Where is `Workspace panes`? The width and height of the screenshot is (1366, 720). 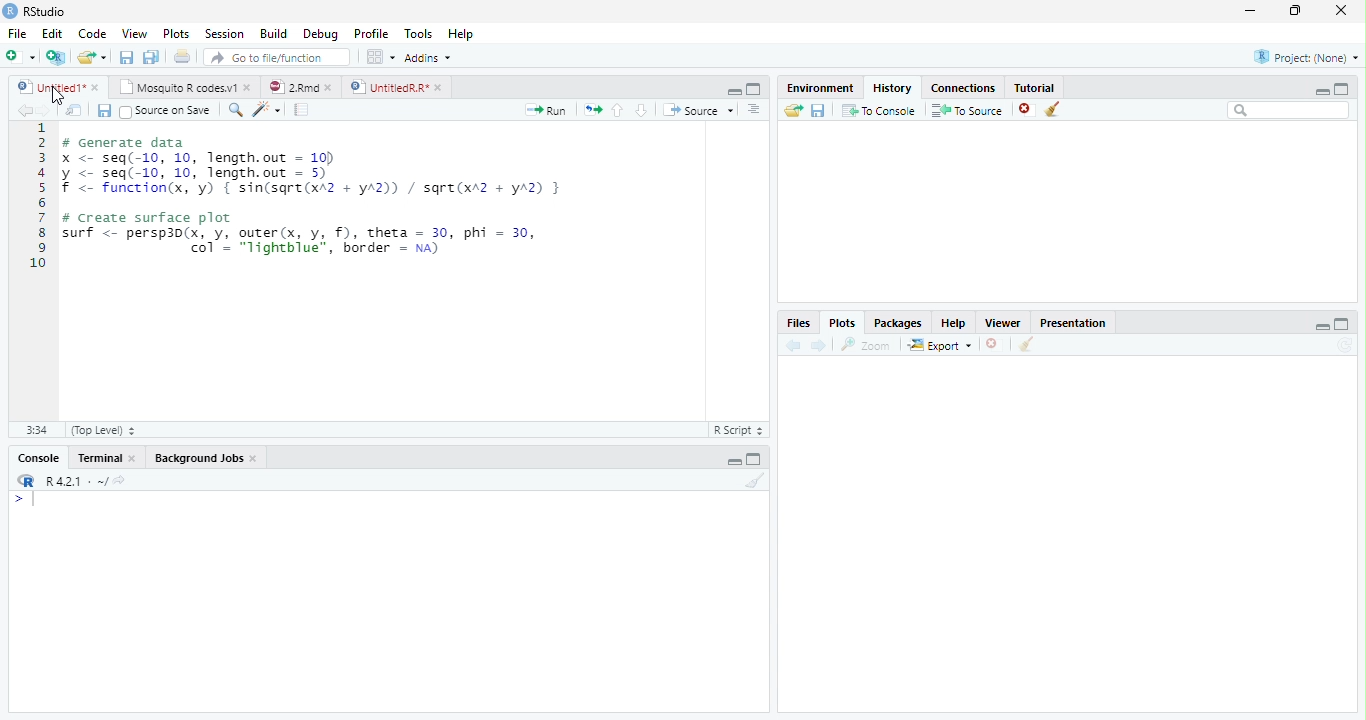 Workspace panes is located at coordinates (379, 56).